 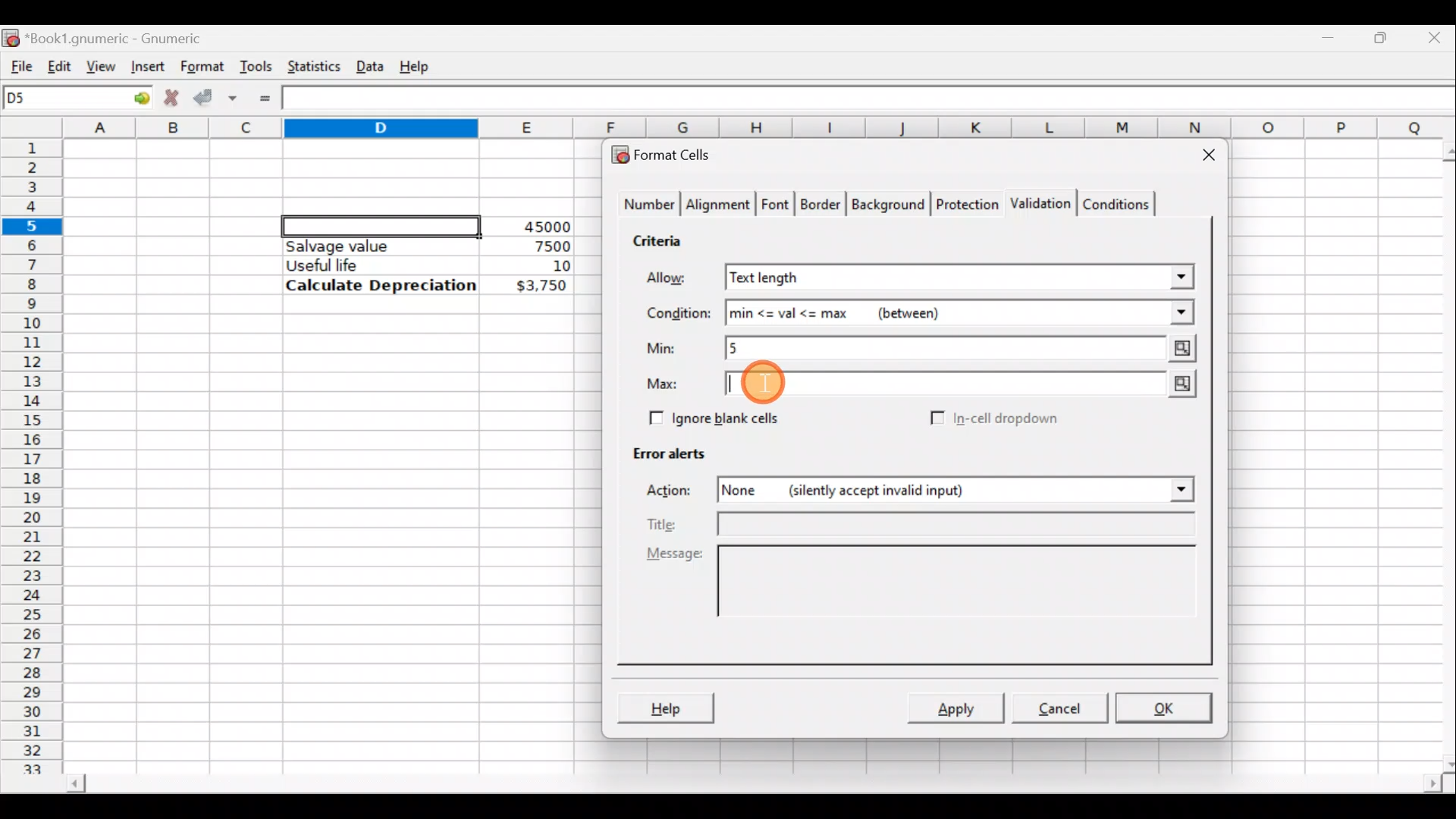 What do you see at coordinates (719, 206) in the screenshot?
I see `Alignment` at bounding box center [719, 206].